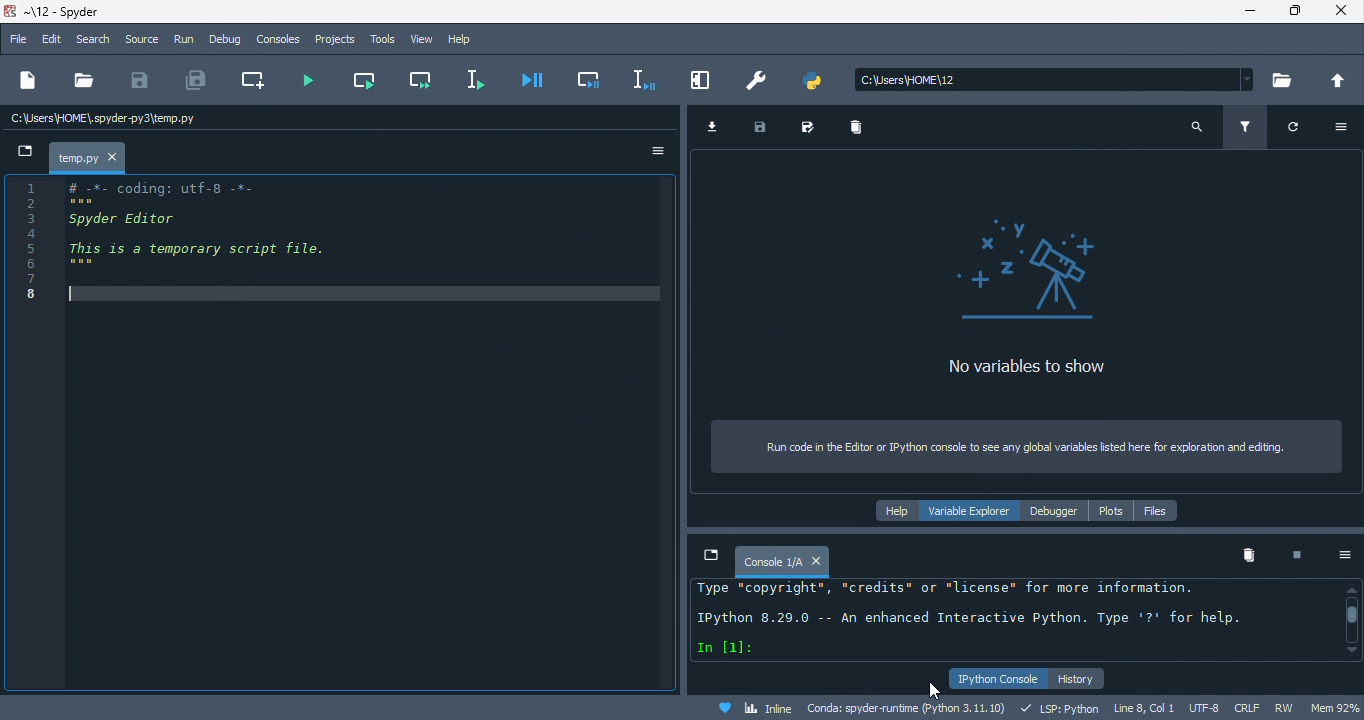 This screenshot has width=1364, height=720. What do you see at coordinates (1335, 706) in the screenshot?
I see `mem 92%` at bounding box center [1335, 706].